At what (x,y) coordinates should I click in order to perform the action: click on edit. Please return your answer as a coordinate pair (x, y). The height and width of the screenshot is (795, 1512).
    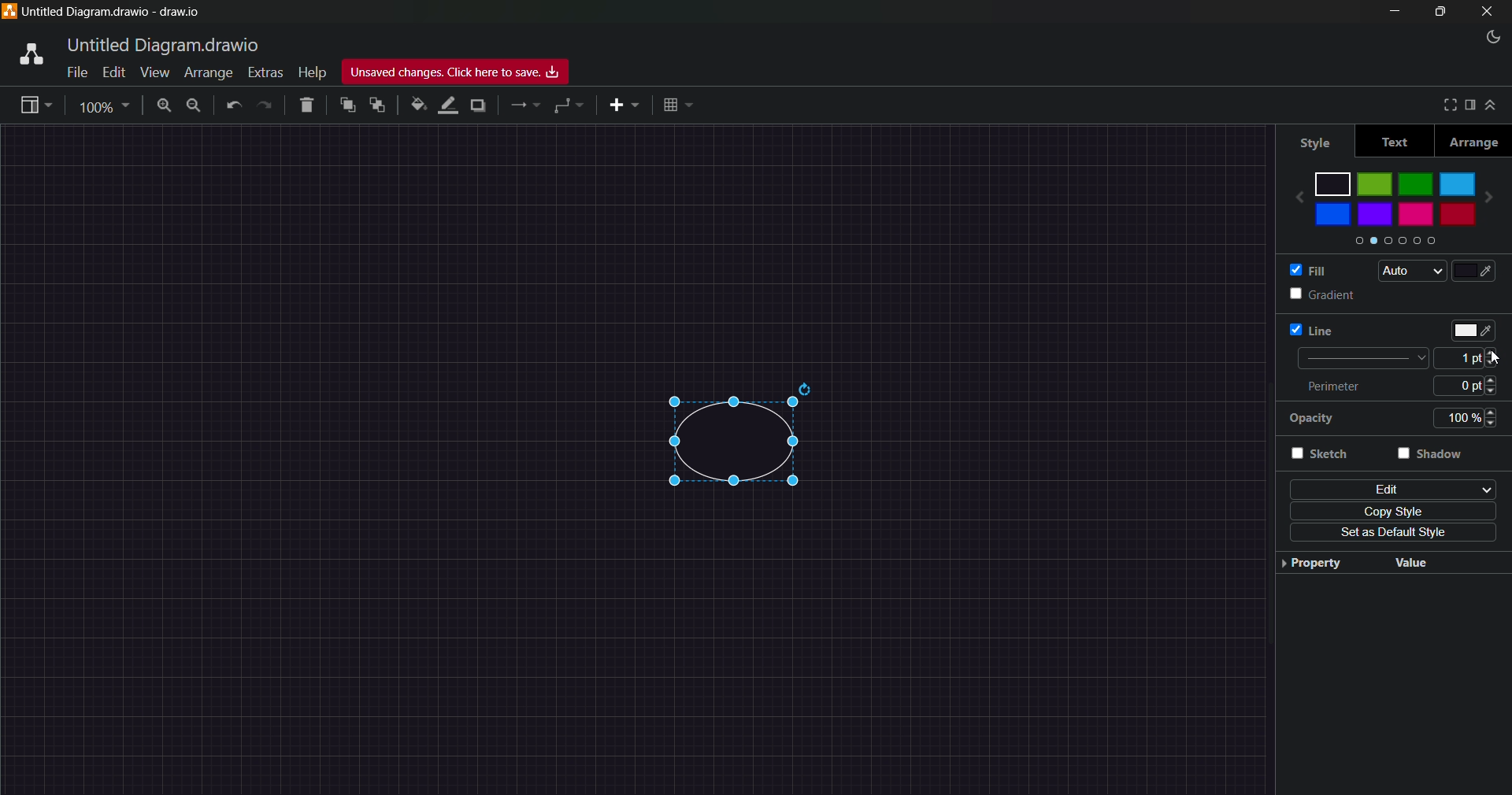
    Looking at the image, I should click on (1392, 488).